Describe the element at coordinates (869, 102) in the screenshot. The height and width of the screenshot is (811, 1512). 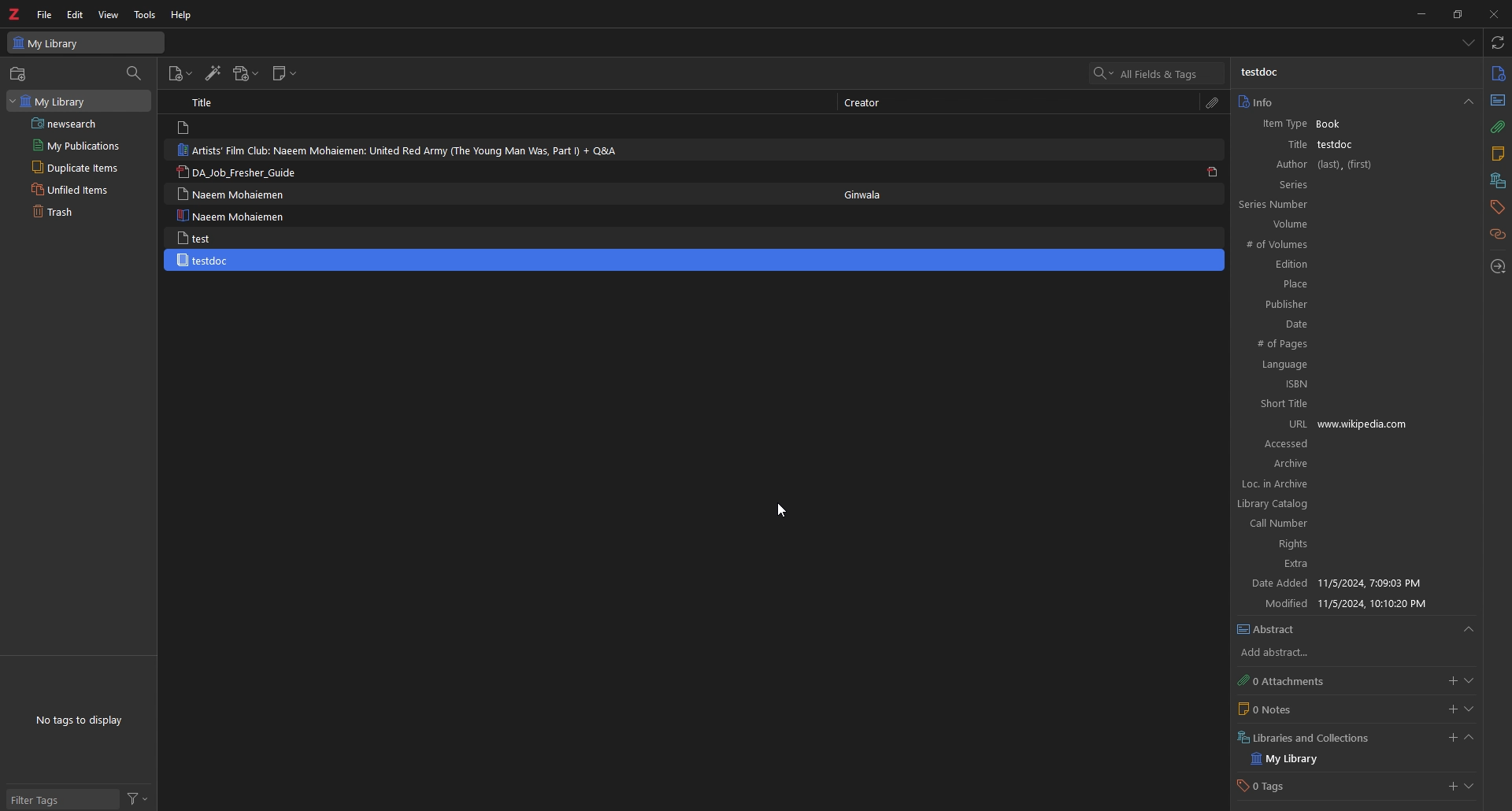
I see `Creator` at that location.